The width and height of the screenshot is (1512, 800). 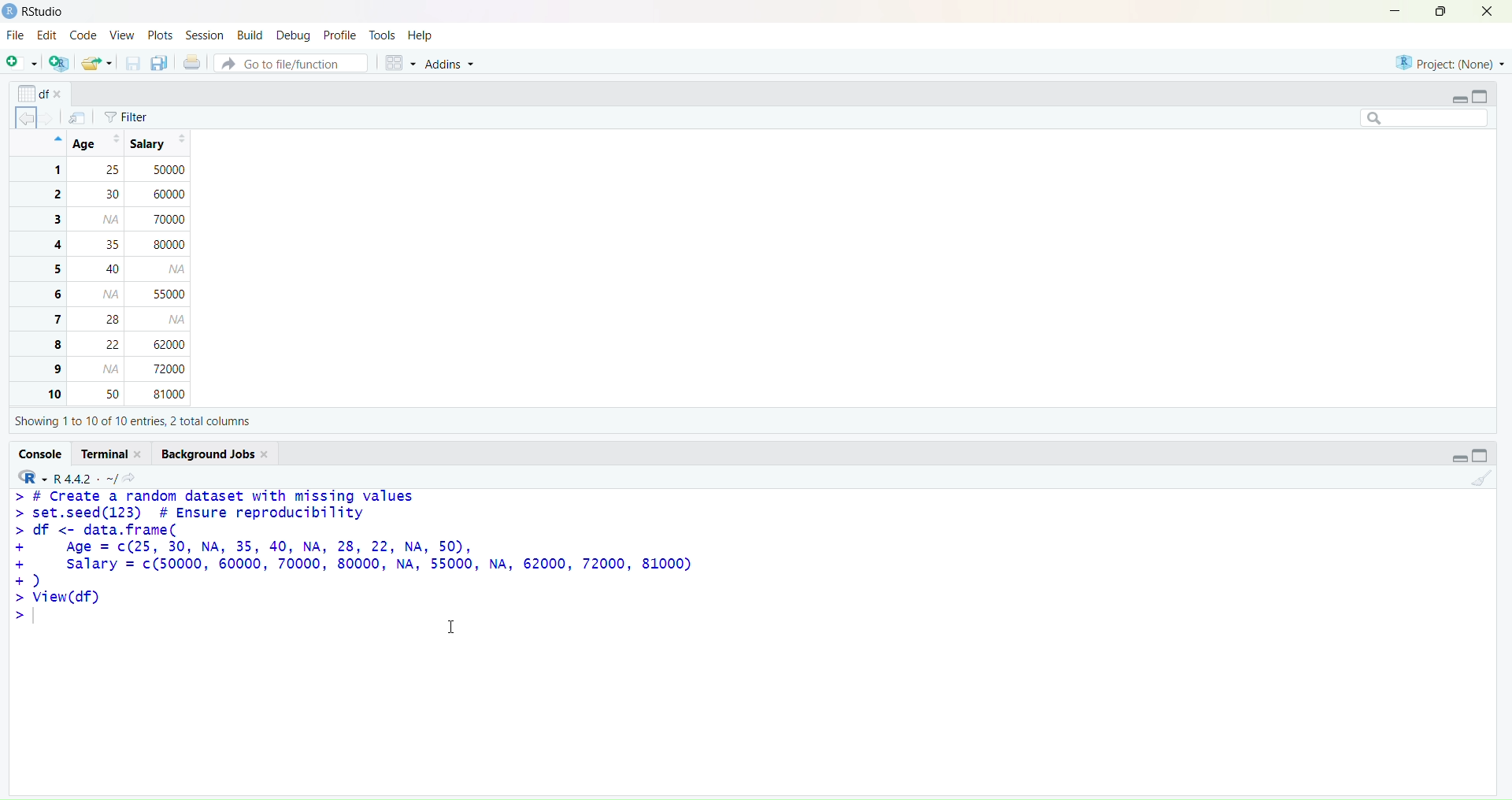 I want to click on background jobs, so click(x=219, y=453).